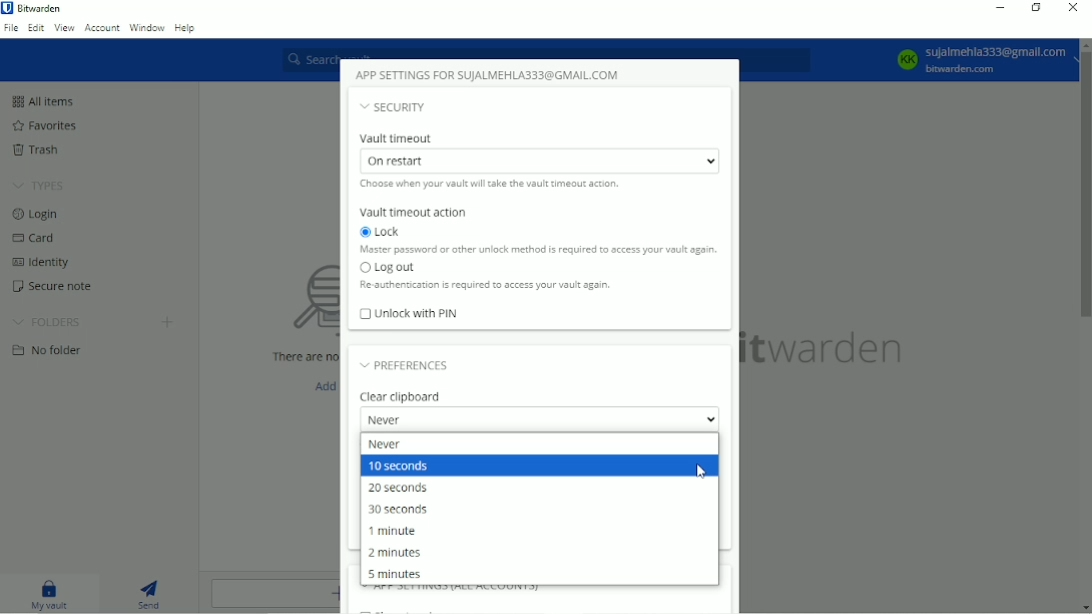 The image size is (1092, 614). What do you see at coordinates (63, 286) in the screenshot?
I see `Secure note.` at bounding box center [63, 286].